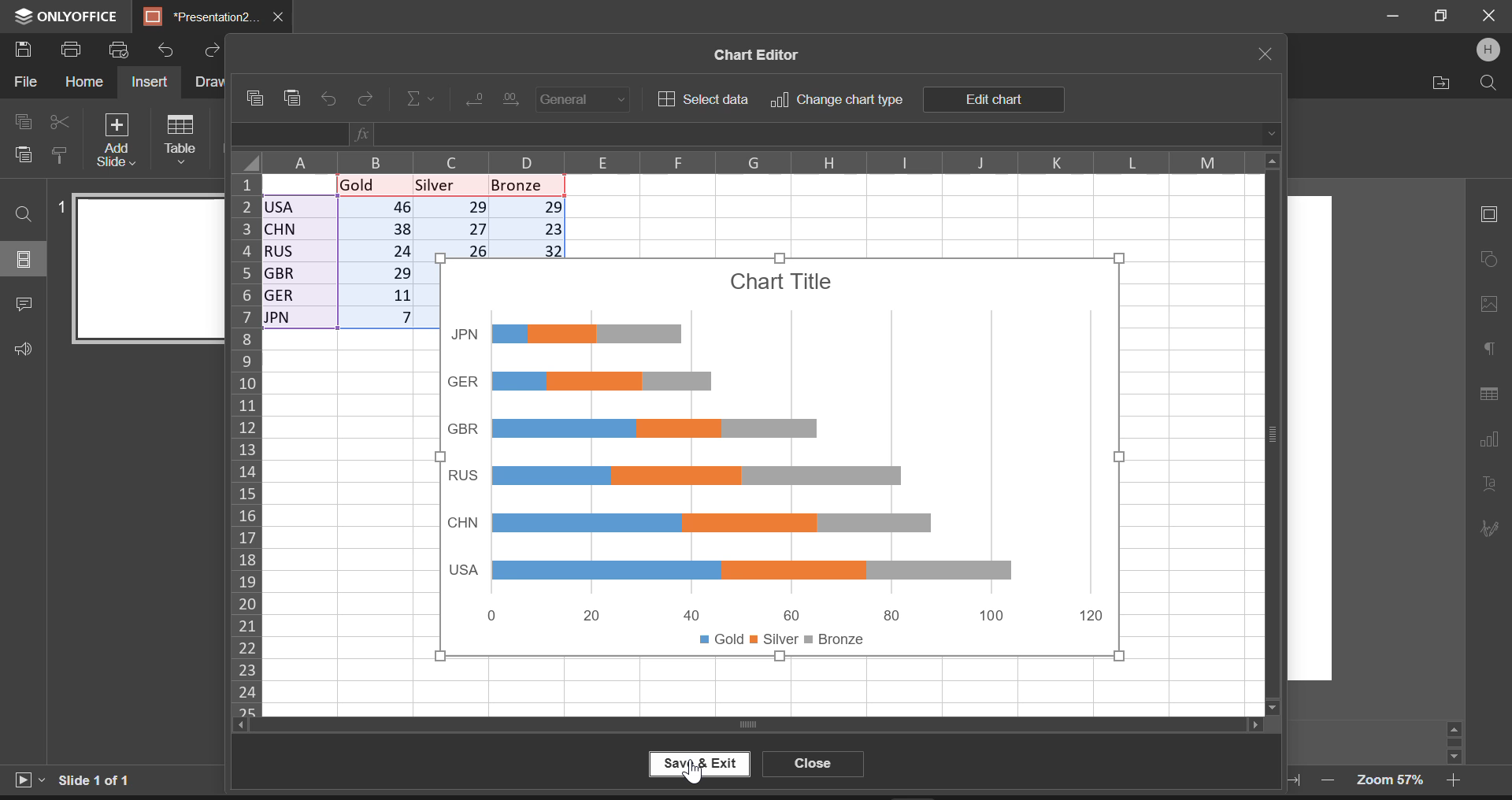 The width and height of the screenshot is (1512, 800). Describe the element at coordinates (60, 119) in the screenshot. I see `Cut` at that location.